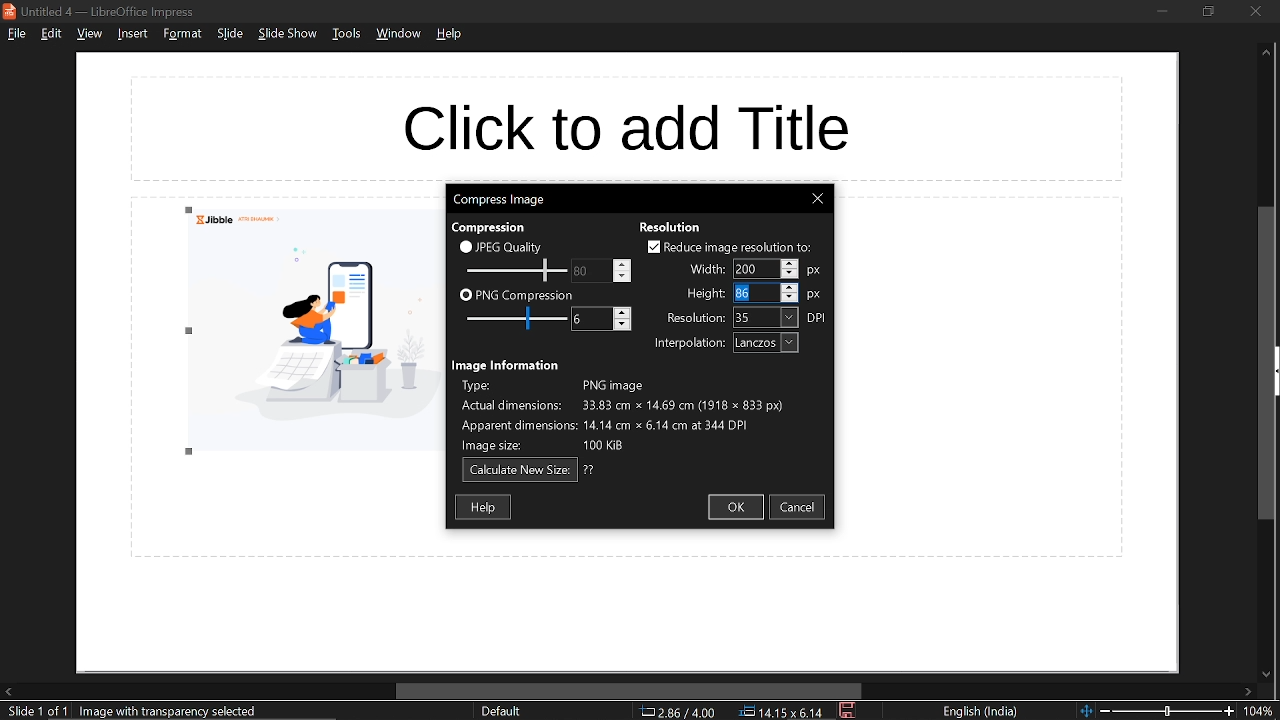 The width and height of the screenshot is (1280, 720). Describe the element at coordinates (703, 294) in the screenshot. I see `height` at that location.